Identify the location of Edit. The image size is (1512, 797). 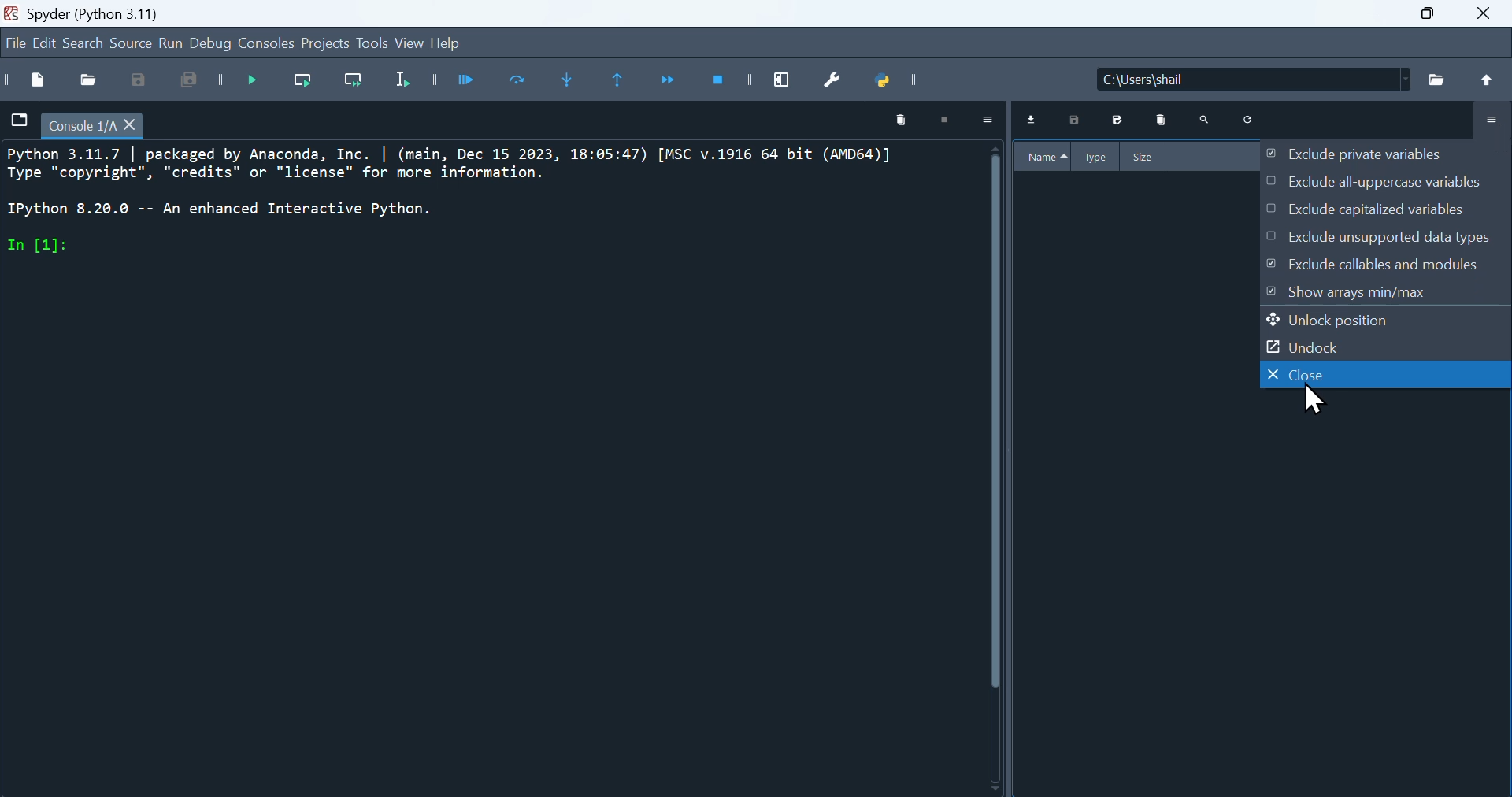
(46, 43).